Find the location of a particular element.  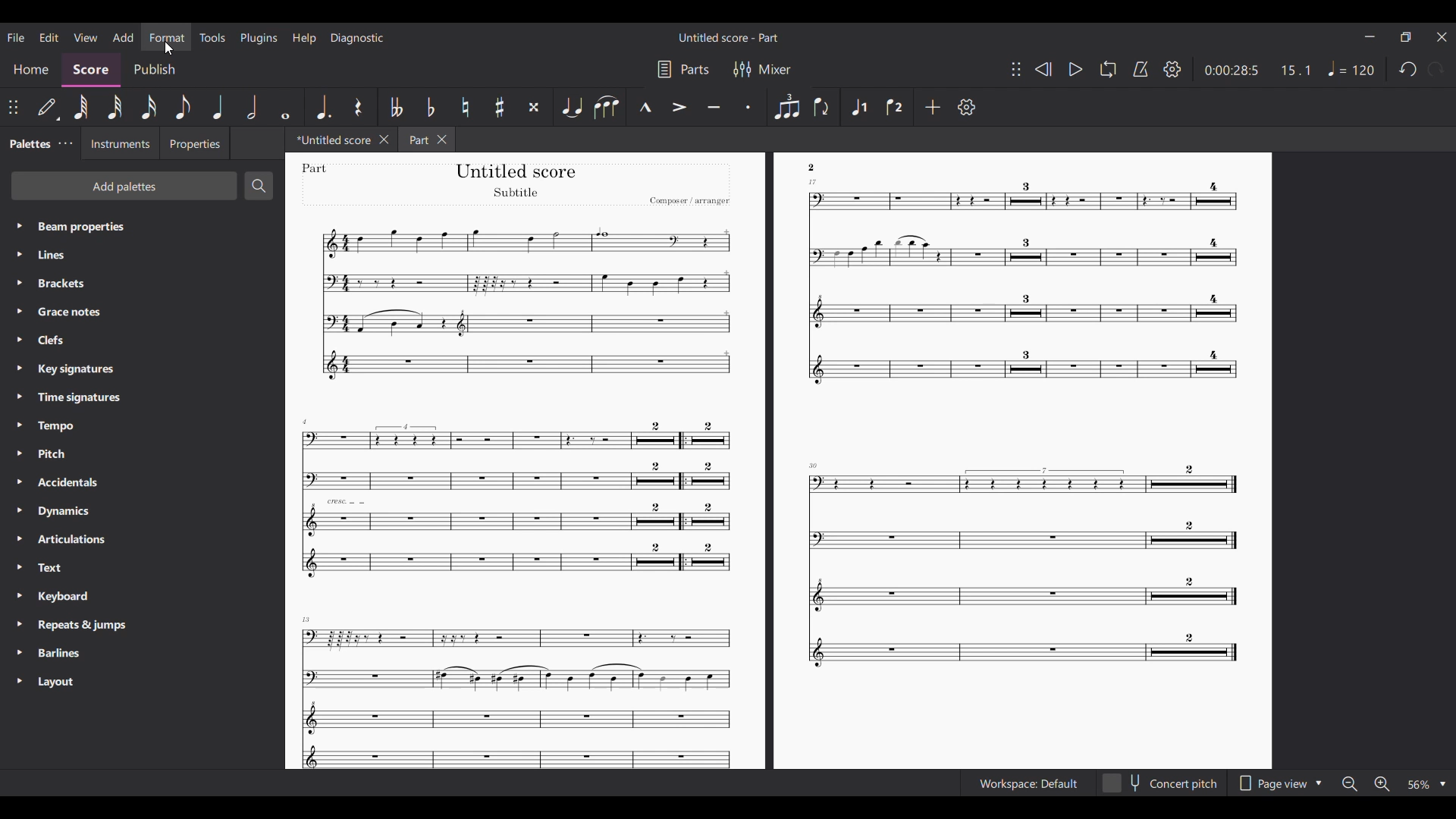

Score section is located at coordinates (92, 71).